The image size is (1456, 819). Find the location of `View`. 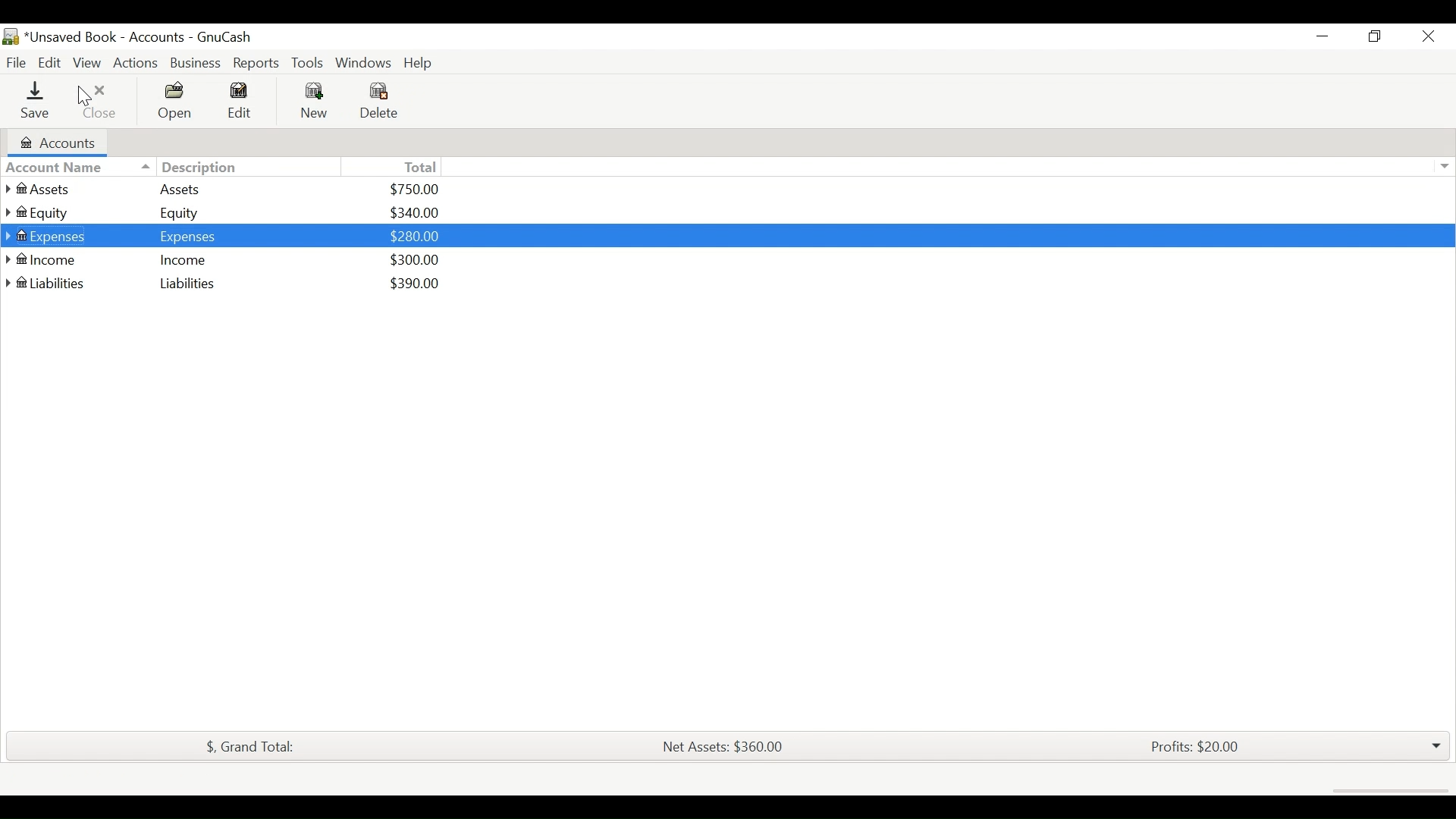

View is located at coordinates (89, 61).